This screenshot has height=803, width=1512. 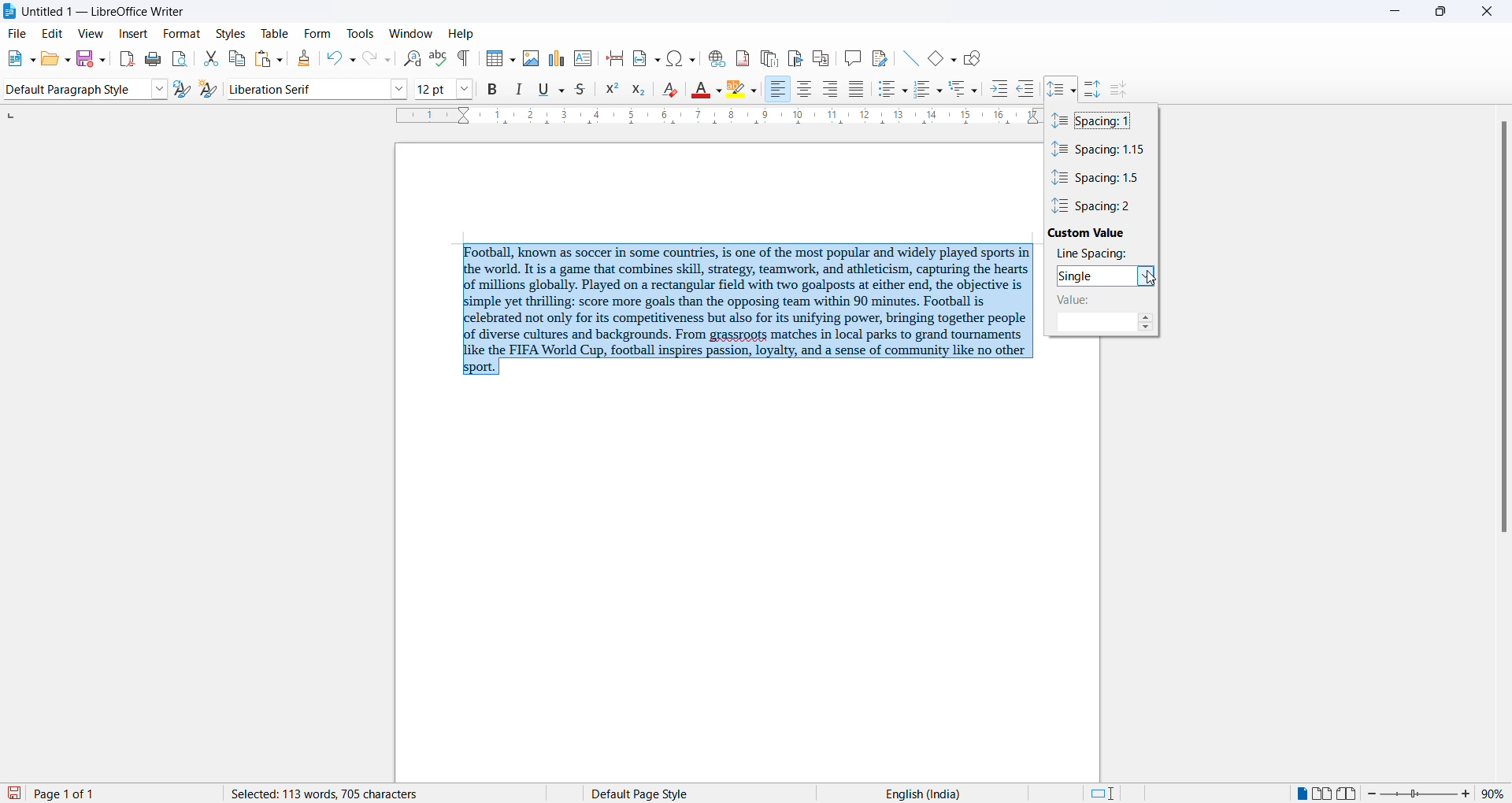 I want to click on save options, so click(x=101, y=62).